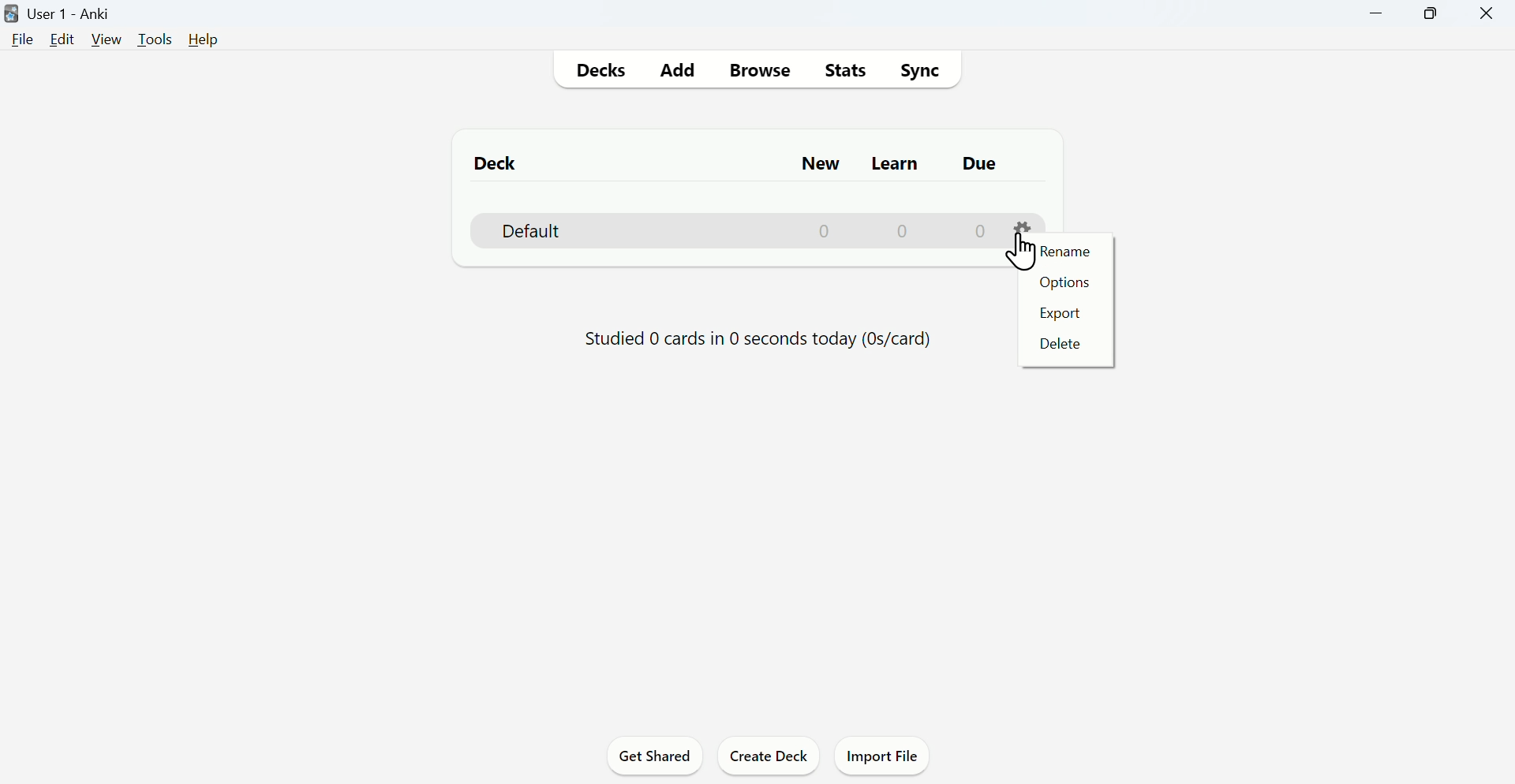  Describe the element at coordinates (20, 40) in the screenshot. I see `File` at that location.